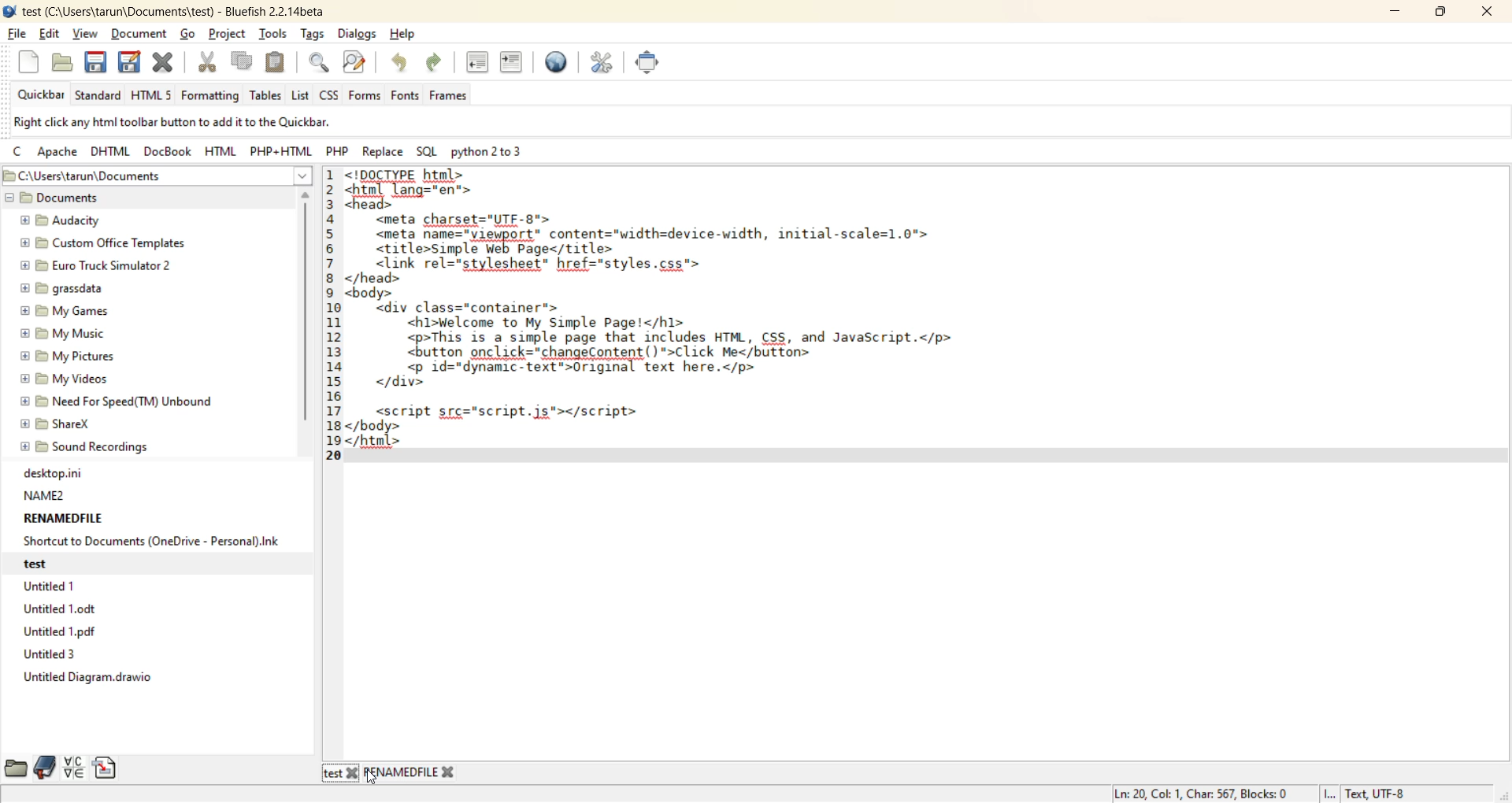 The height and width of the screenshot is (803, 1512). Describe the element at coordinates (332, 773) in the screenshot. I see `test` at that location.